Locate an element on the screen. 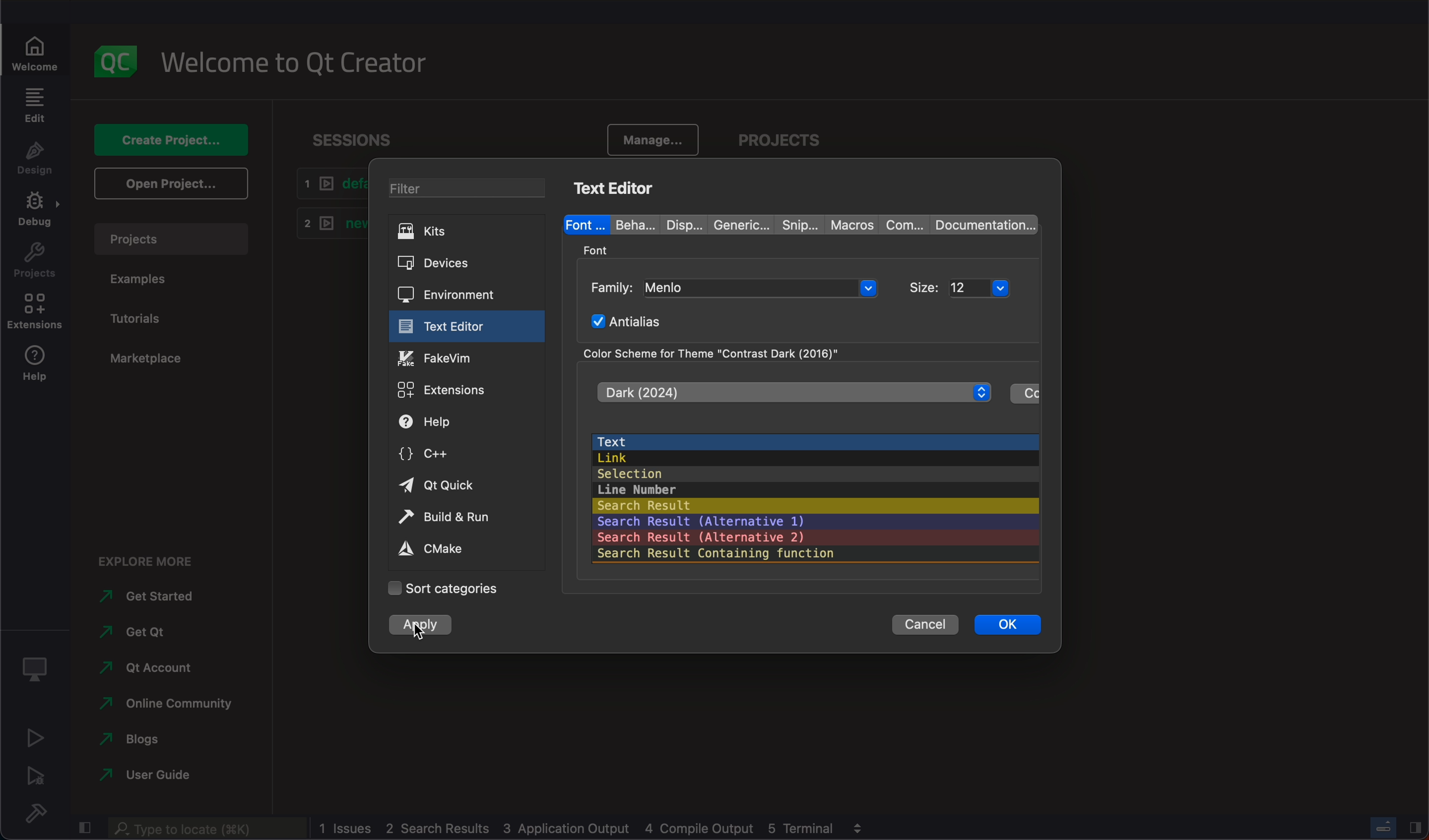 This screenshot has width=1429, height=840. project is located at coordinates (35, 262).